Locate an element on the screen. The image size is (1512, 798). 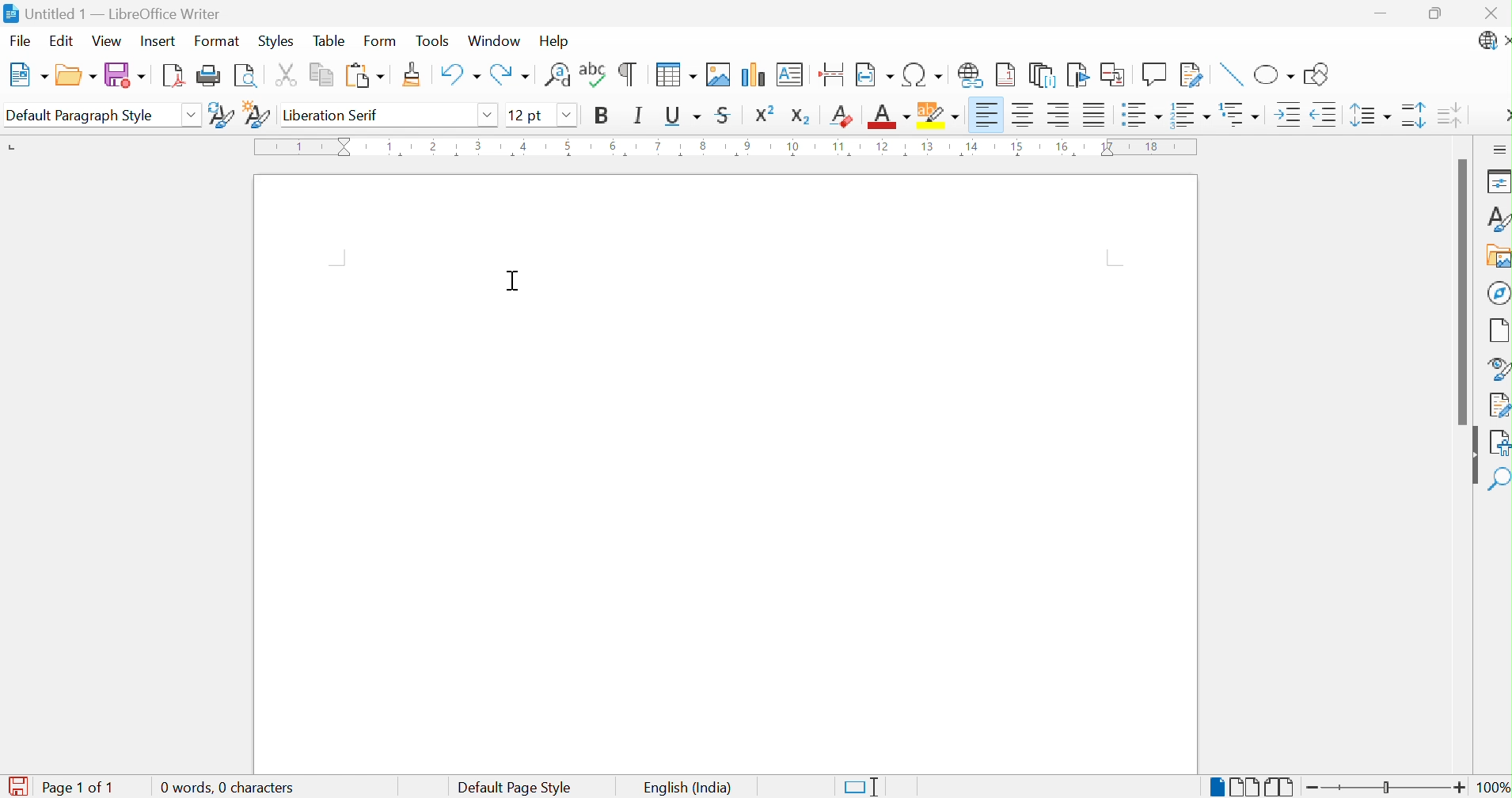
Select Outline Format is located at coordinates (1238, 115).